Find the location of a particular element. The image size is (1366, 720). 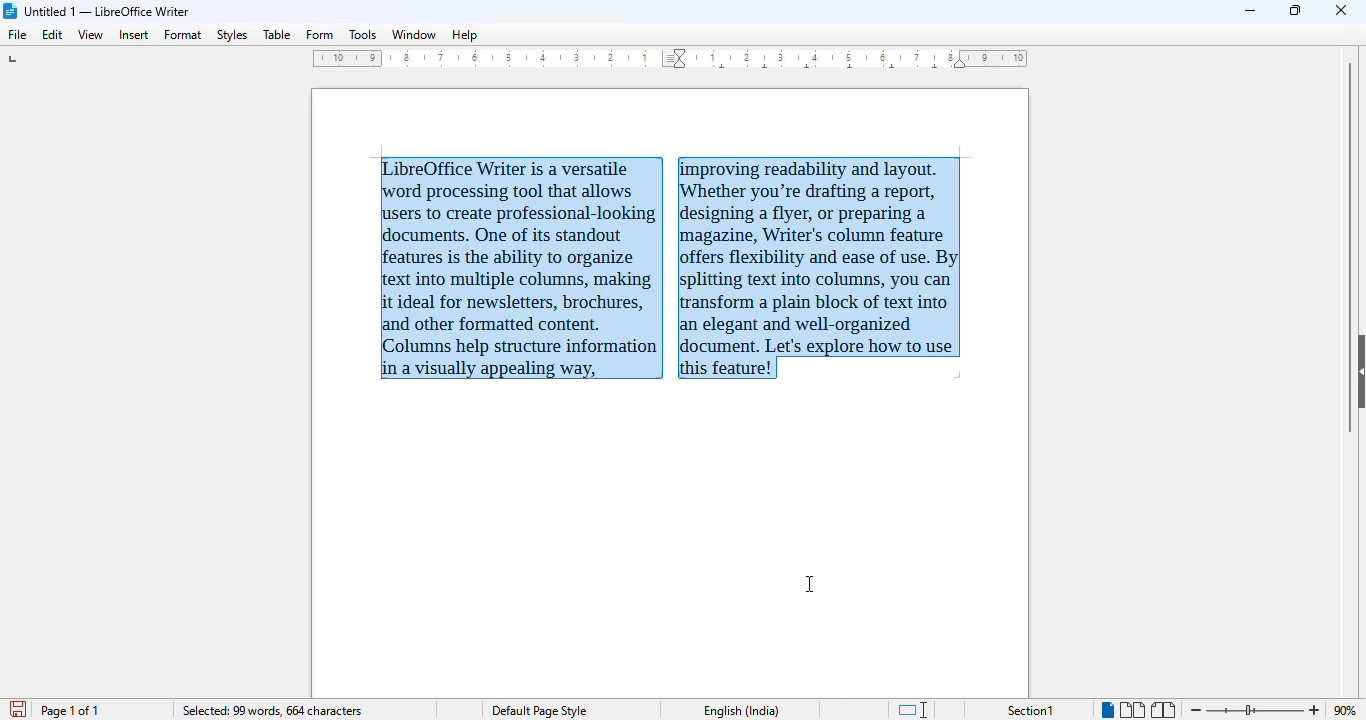

view is located at coordinates (90, 35).